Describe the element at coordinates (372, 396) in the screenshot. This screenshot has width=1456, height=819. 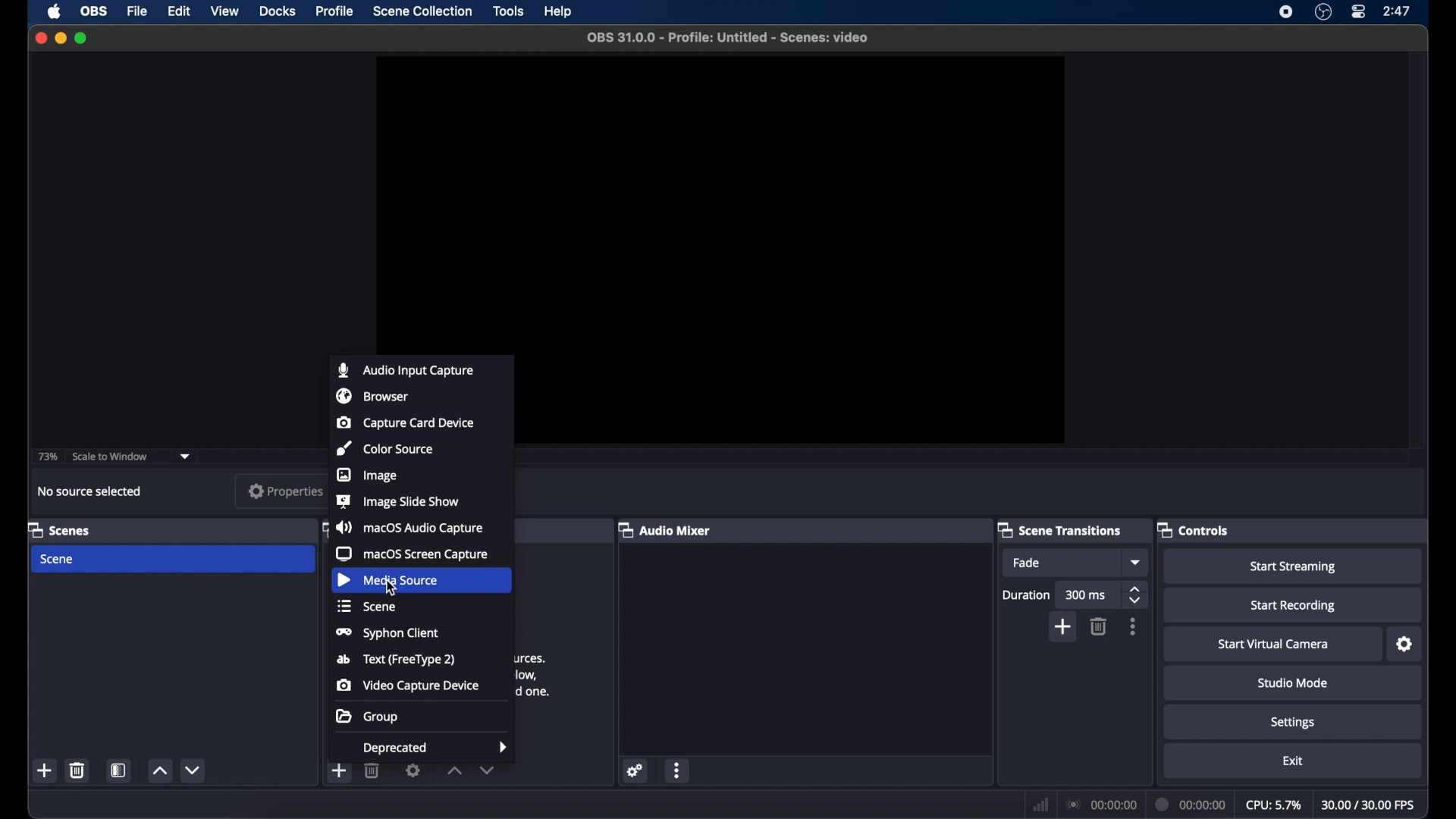
I see `browser` at that location.